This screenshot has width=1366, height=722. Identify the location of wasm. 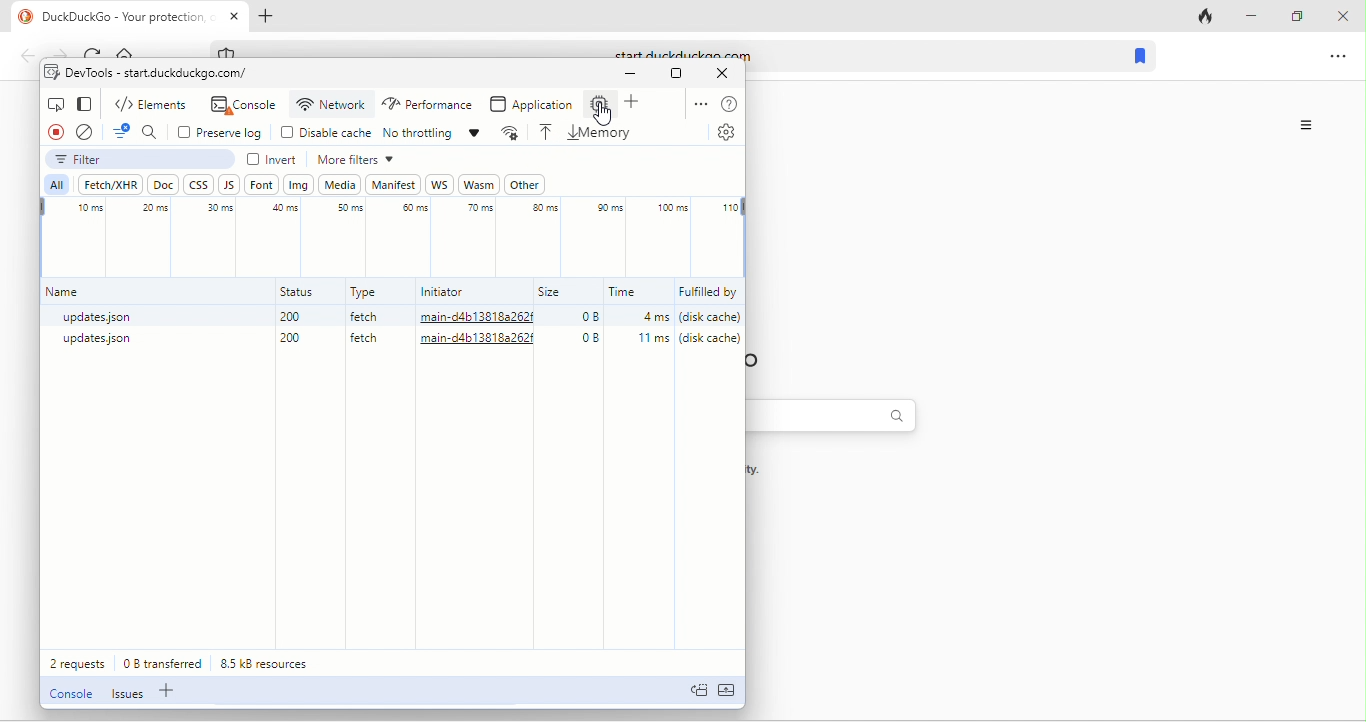
(483, 184).